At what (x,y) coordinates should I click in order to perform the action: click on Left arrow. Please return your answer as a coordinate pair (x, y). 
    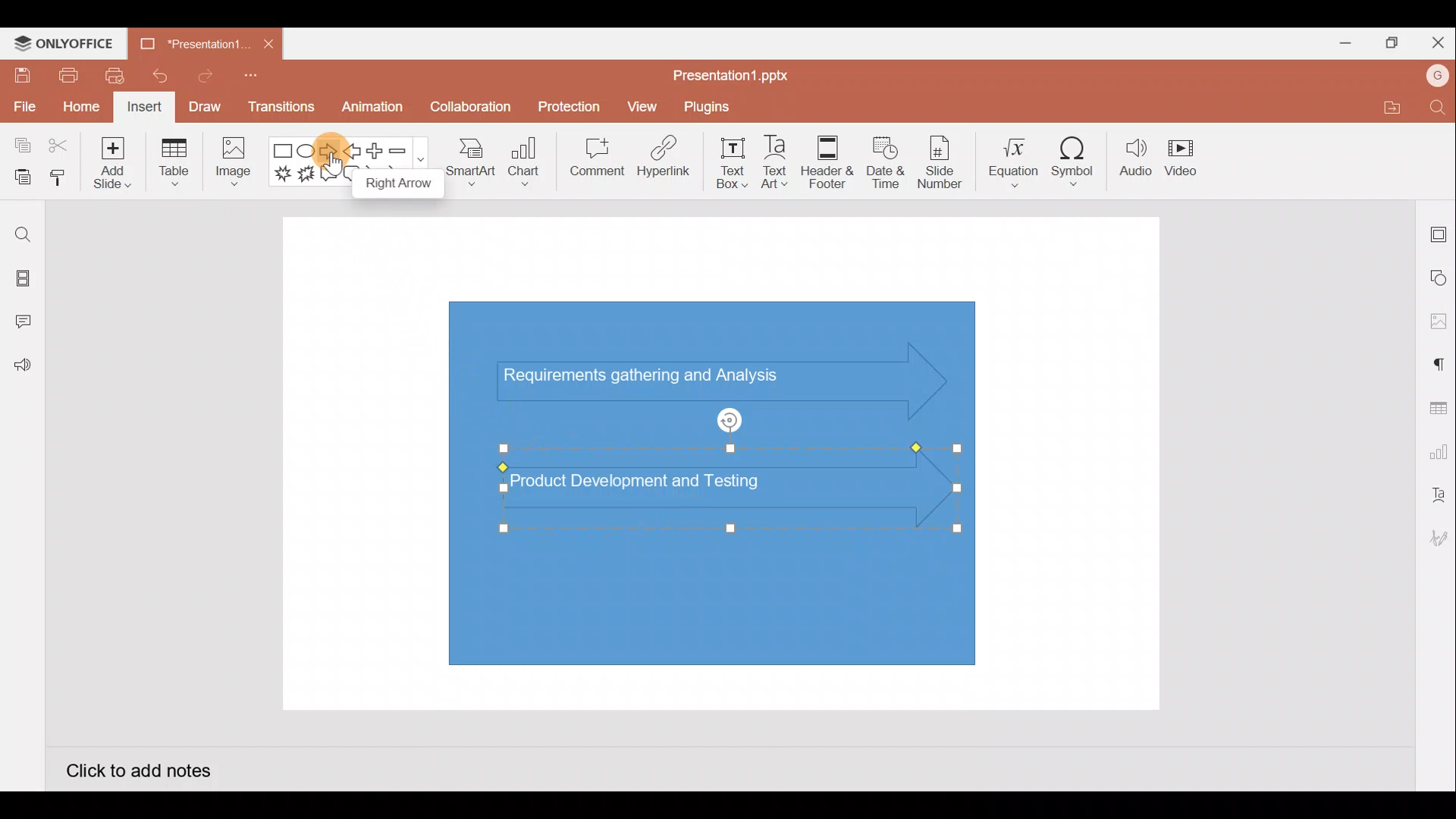
    Looking at the image, I should click on (353, 151).